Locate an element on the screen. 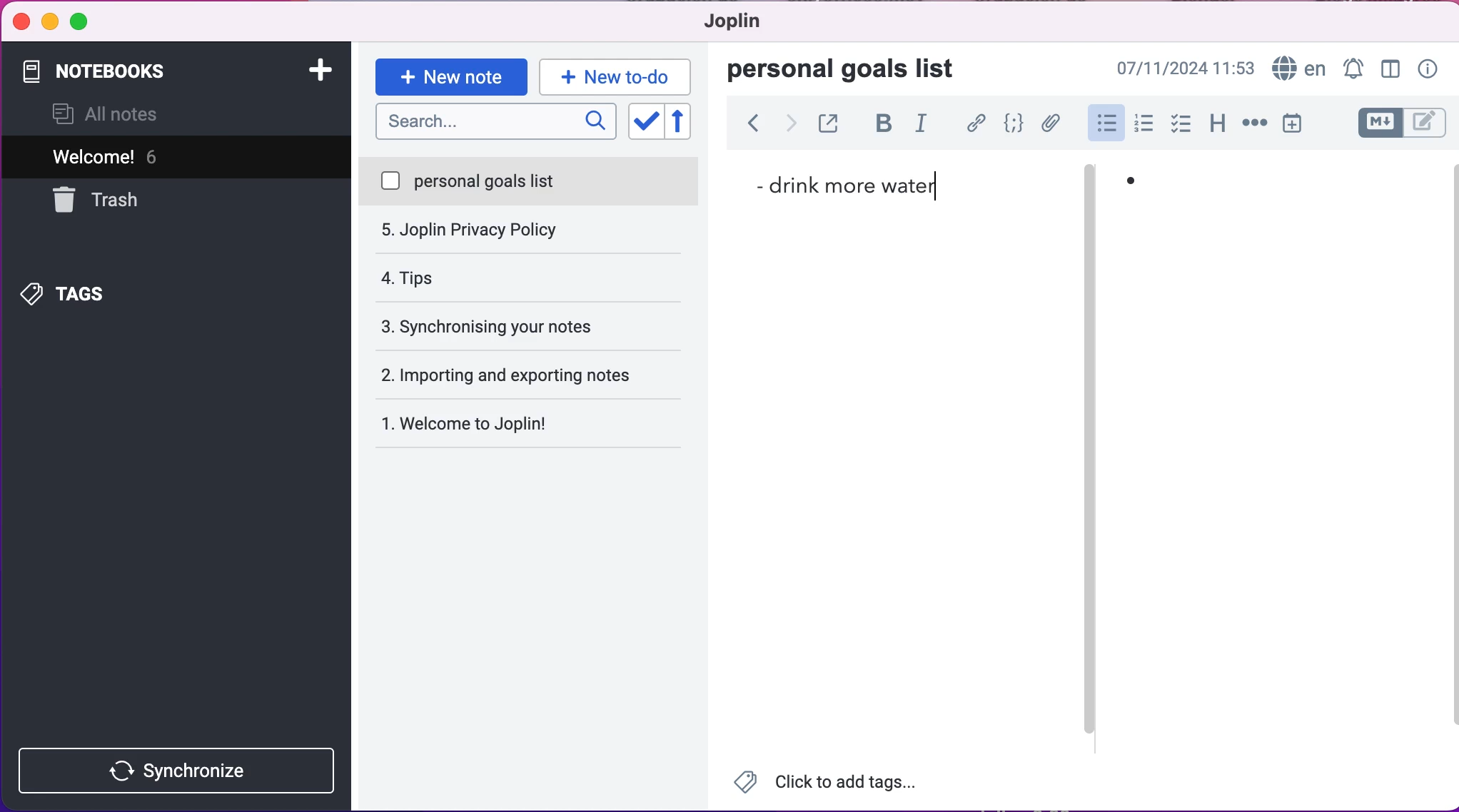 The image size is (1459, 812). hyperlink is located at coordinates (976, 123).